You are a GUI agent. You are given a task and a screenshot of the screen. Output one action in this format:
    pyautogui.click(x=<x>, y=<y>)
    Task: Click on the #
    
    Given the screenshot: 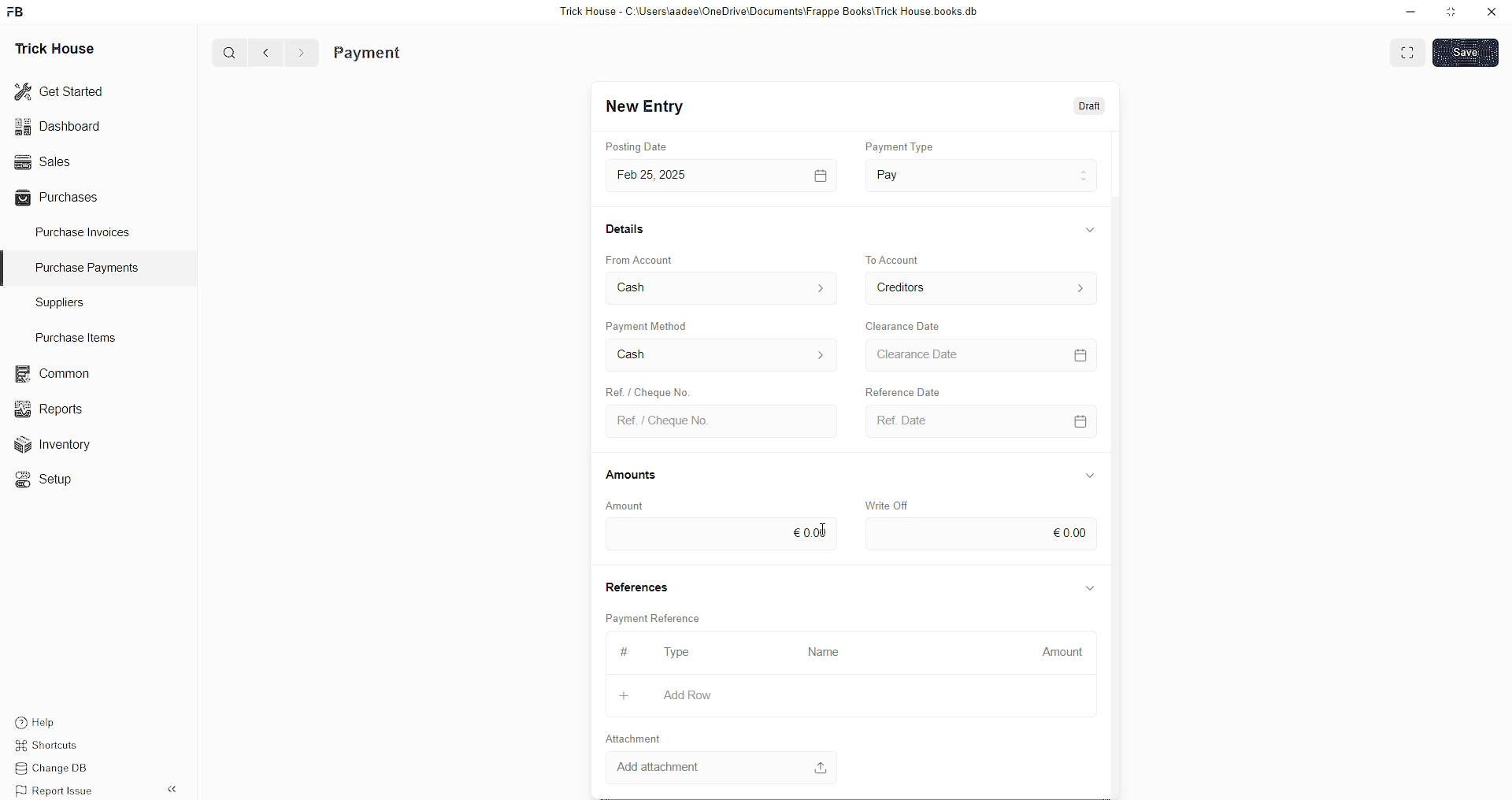 What is the action you would take?
    pyautogui.click(x=617, y=652)
    